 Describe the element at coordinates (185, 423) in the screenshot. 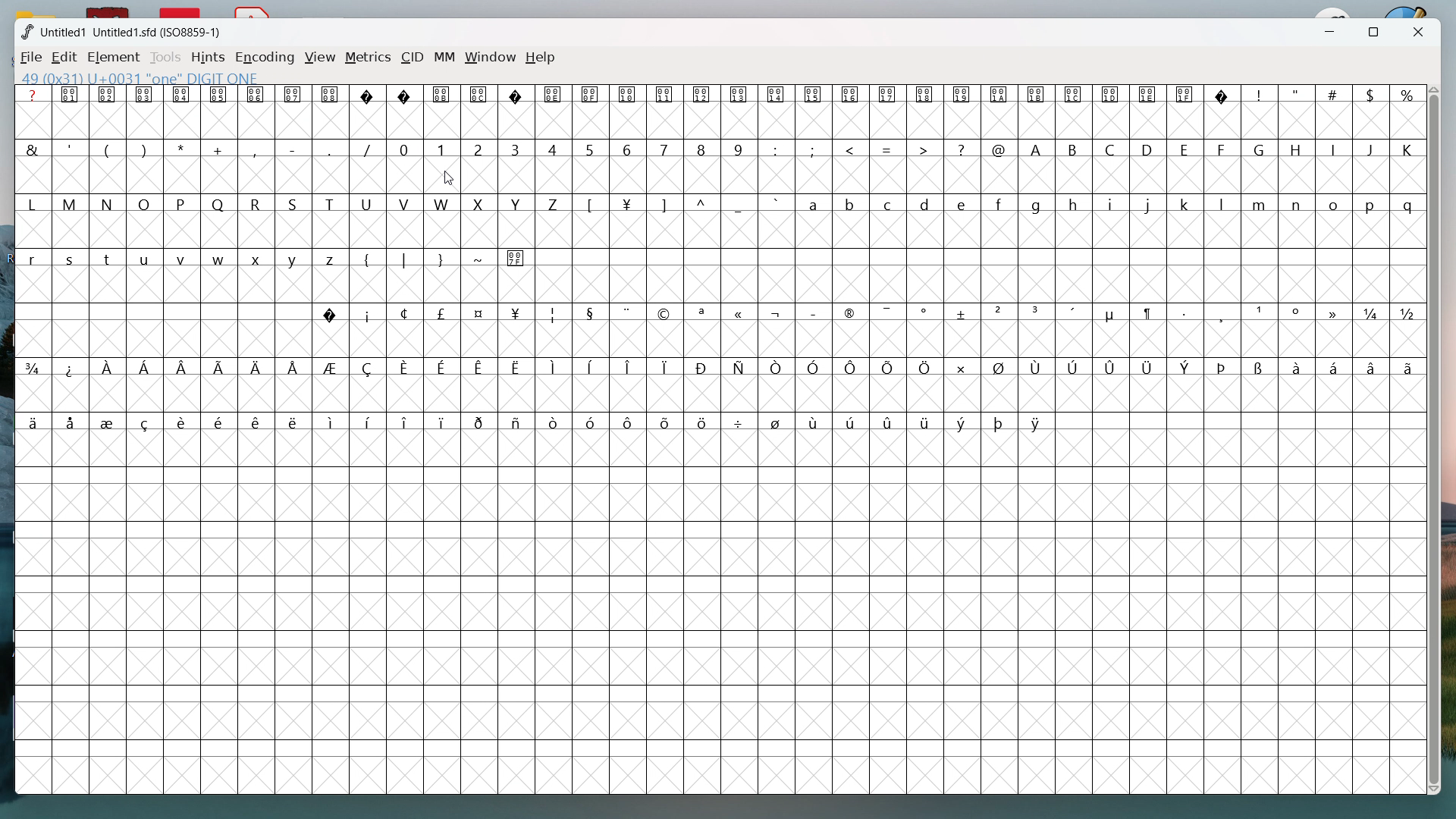

I see `symbol` at that location.